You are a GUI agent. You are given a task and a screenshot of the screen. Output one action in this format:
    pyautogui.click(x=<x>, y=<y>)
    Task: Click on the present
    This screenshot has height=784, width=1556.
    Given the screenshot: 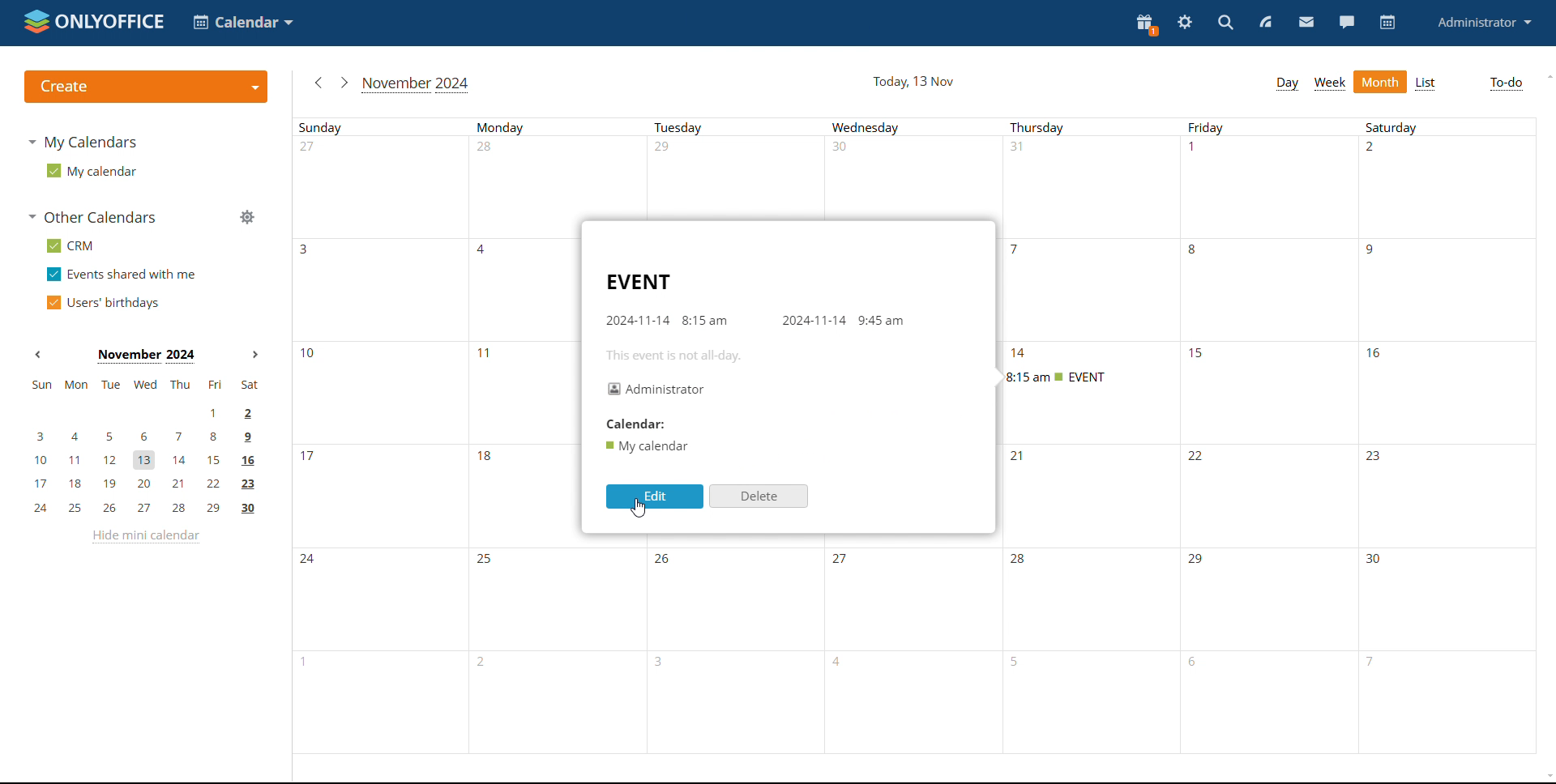 What is the action you would take?
    pyautogui.click(x=1145, y=26)
    